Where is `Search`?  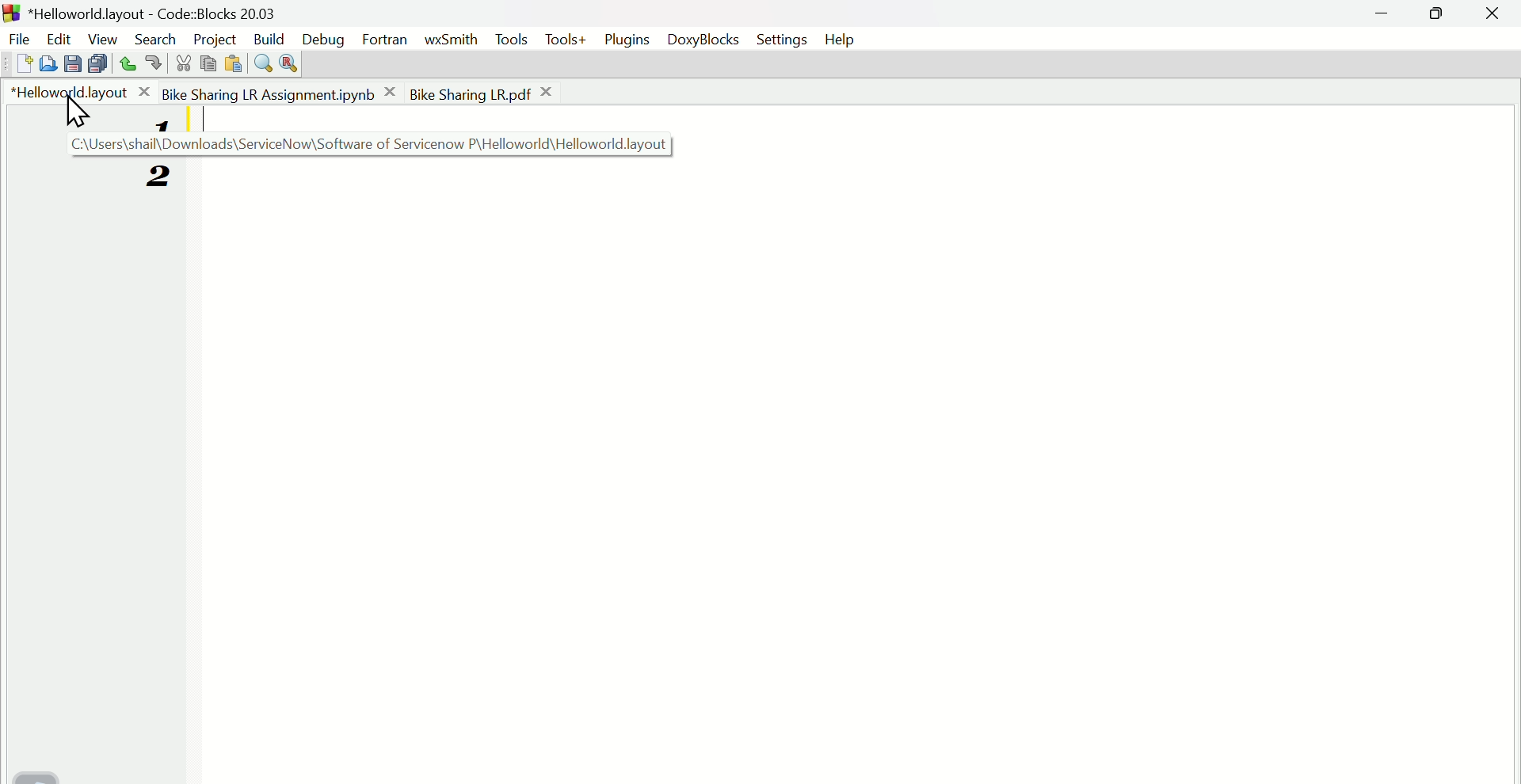
Search is located at coordinates (154, 38).